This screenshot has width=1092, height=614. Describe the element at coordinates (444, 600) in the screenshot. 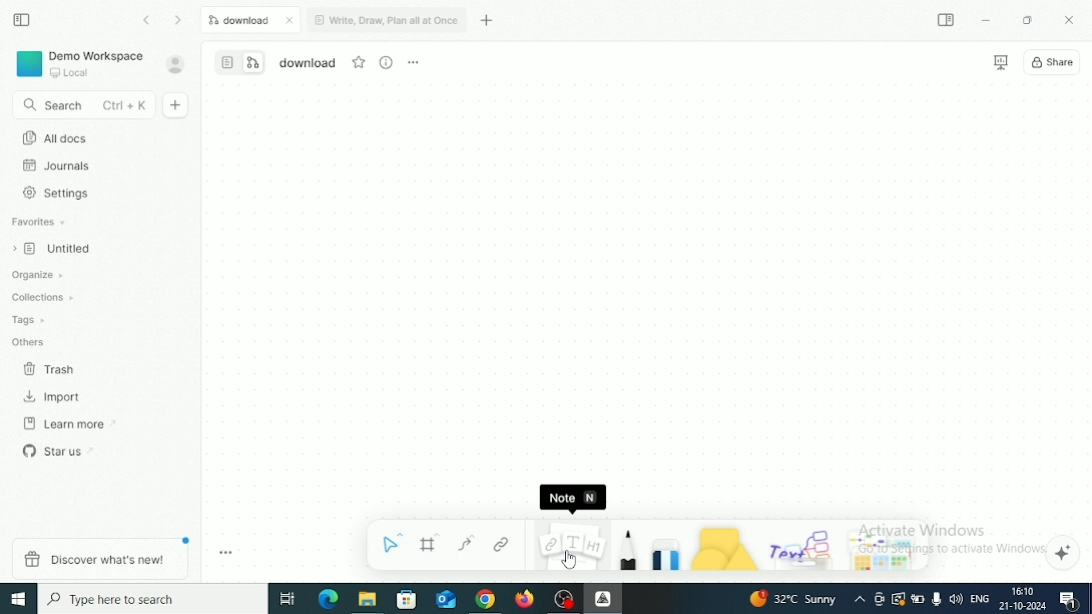

I see `Mail` at that location.